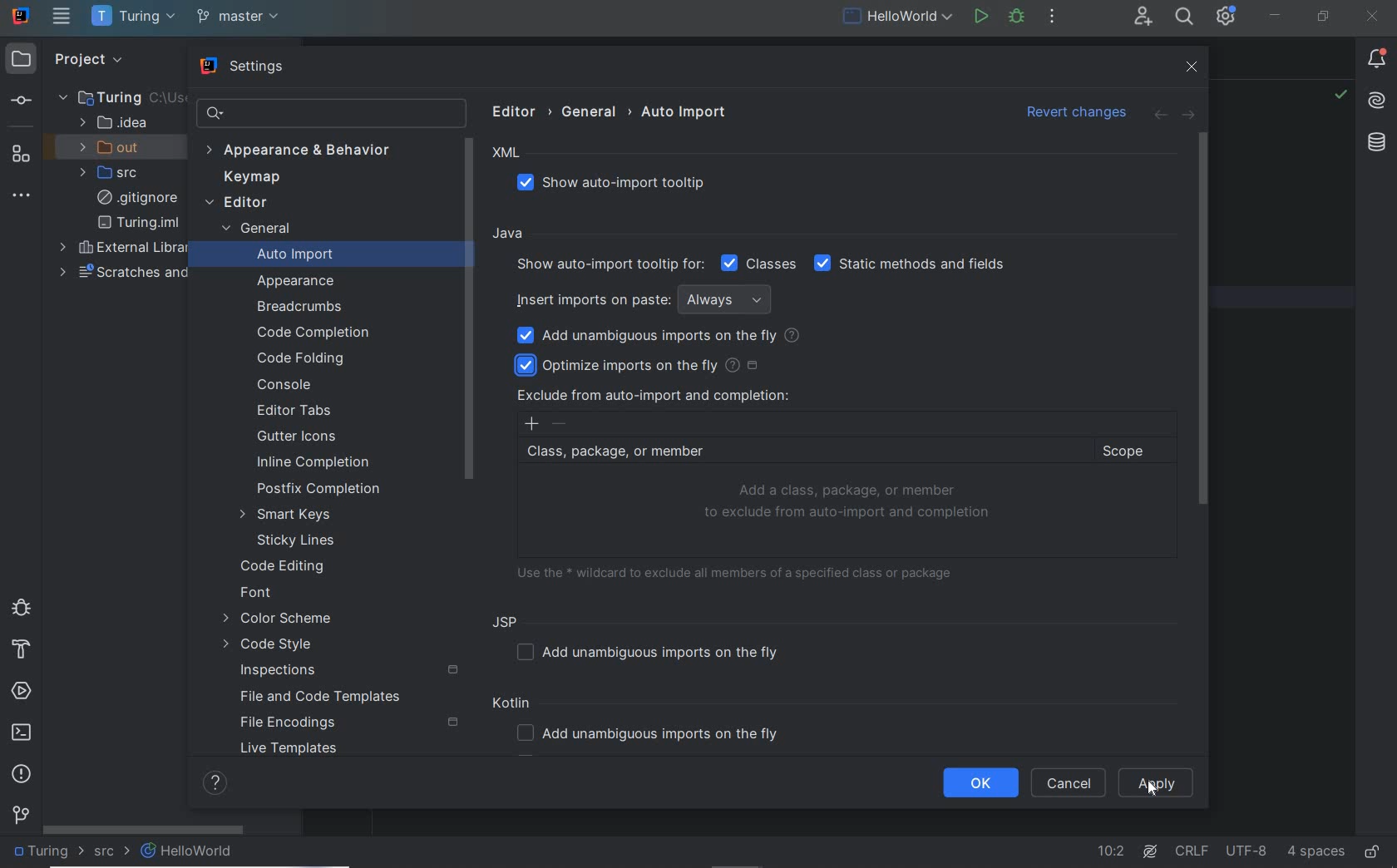 This screenshot has width=1397, height=868. I want to click on MINIMIZE, so click(1276, 15).